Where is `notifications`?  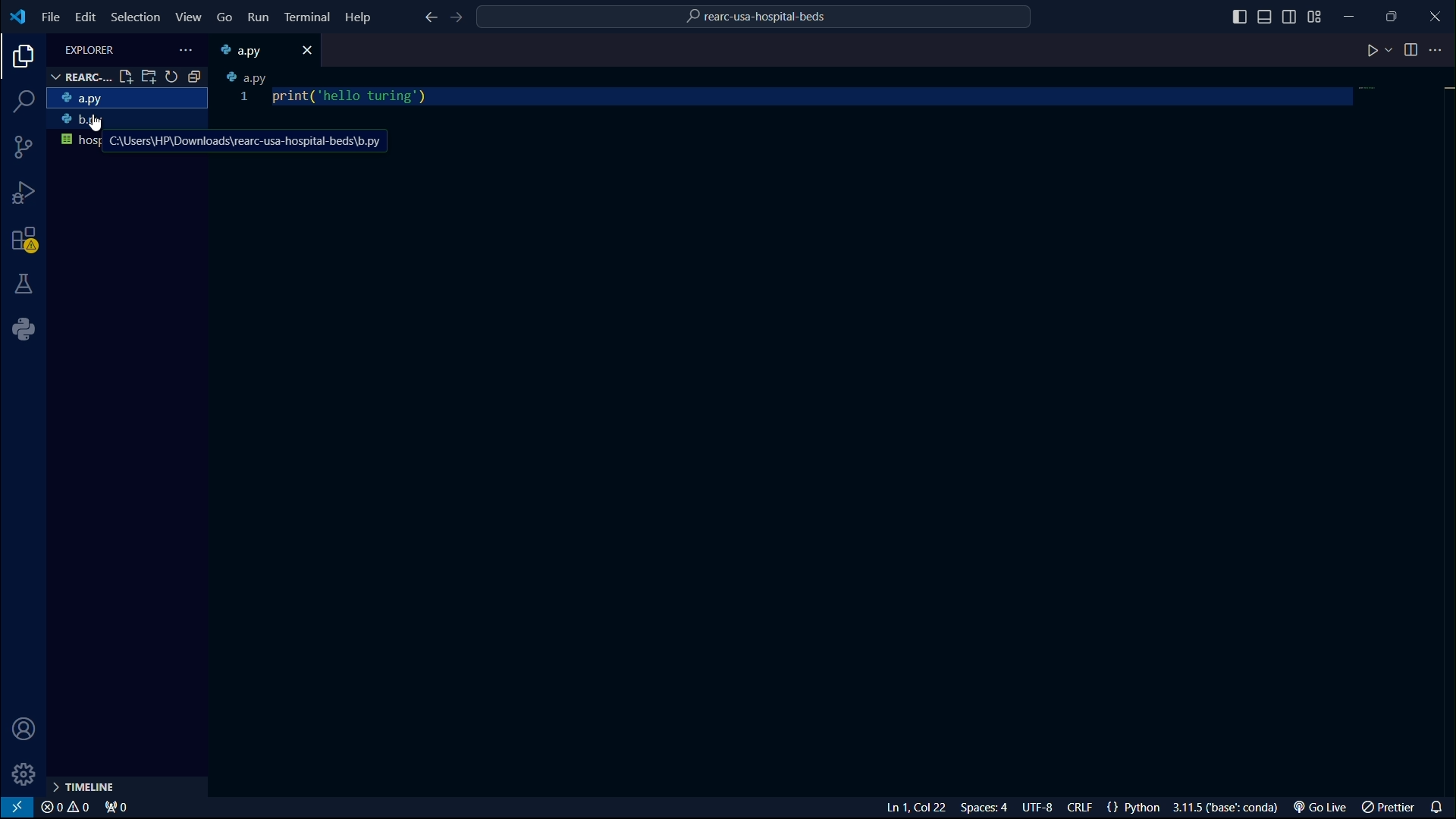
notifications is located at coordinates (1439, 805).